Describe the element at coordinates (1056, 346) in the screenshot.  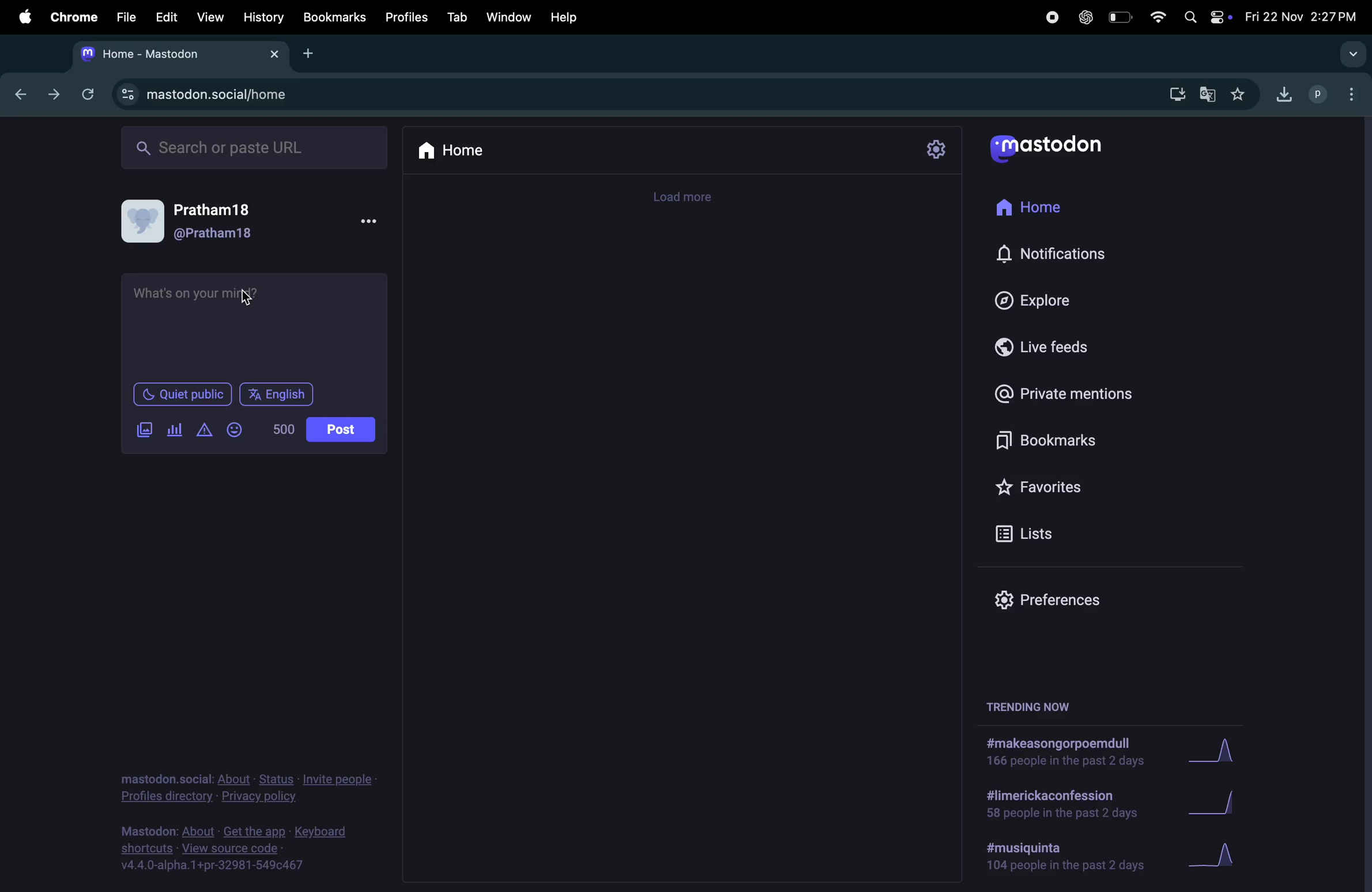
I see `live feeds` at that location.